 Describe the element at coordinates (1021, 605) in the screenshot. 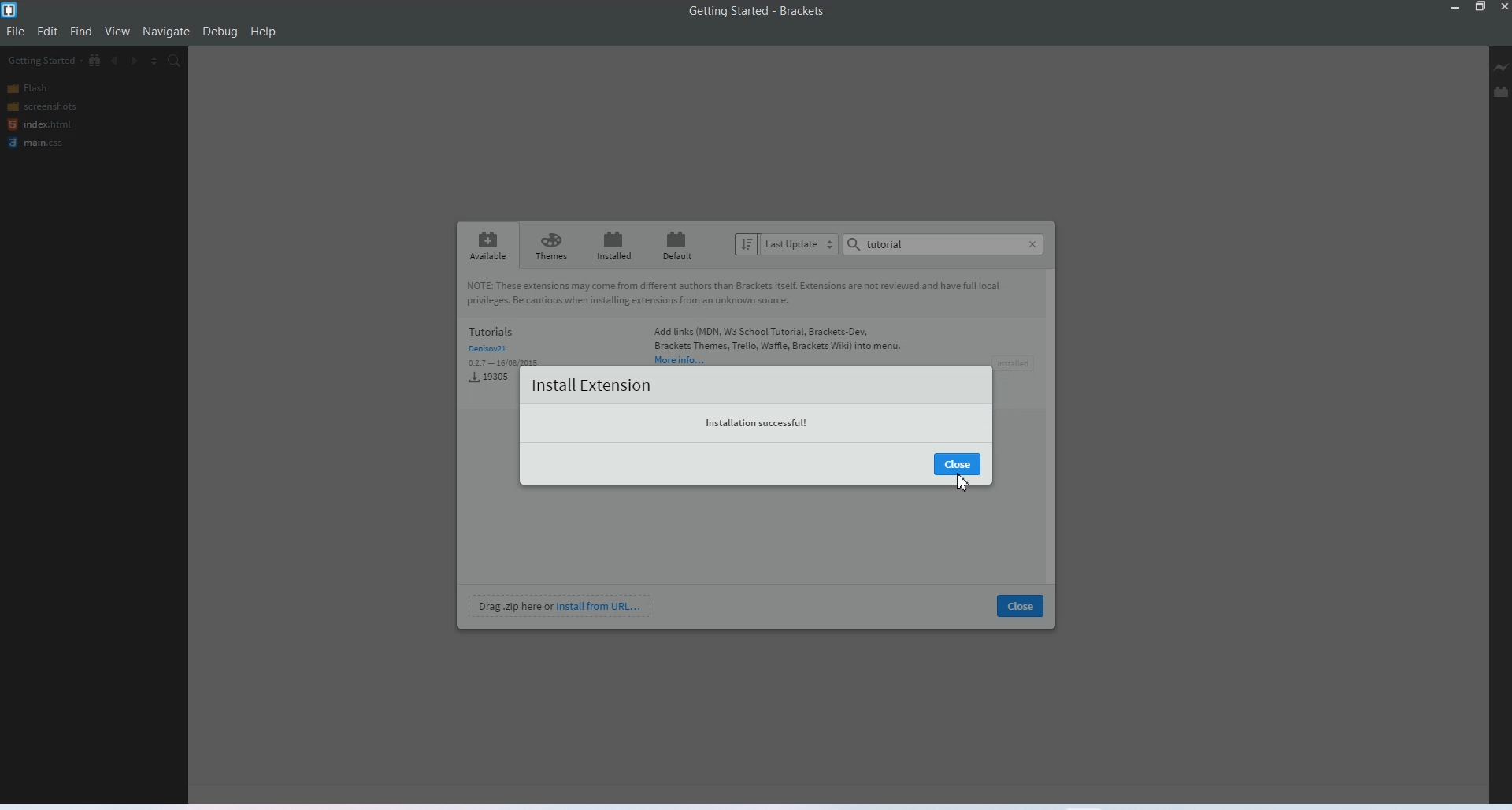

I see `Close` at that location.